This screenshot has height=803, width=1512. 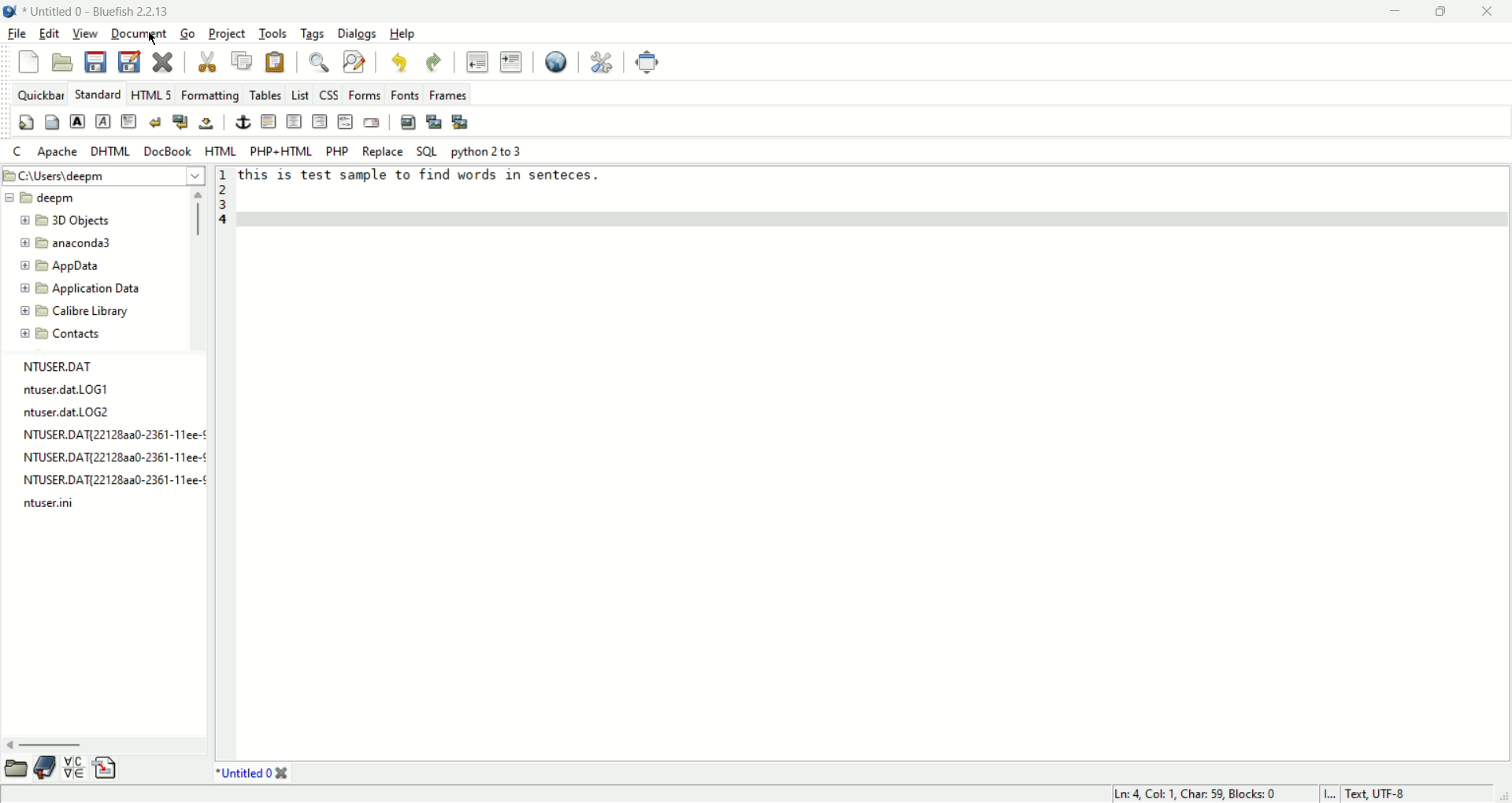 What do you see at coordinates (312, 33) in the screenshot?
I see `tags` at bounding box center [312, 33].